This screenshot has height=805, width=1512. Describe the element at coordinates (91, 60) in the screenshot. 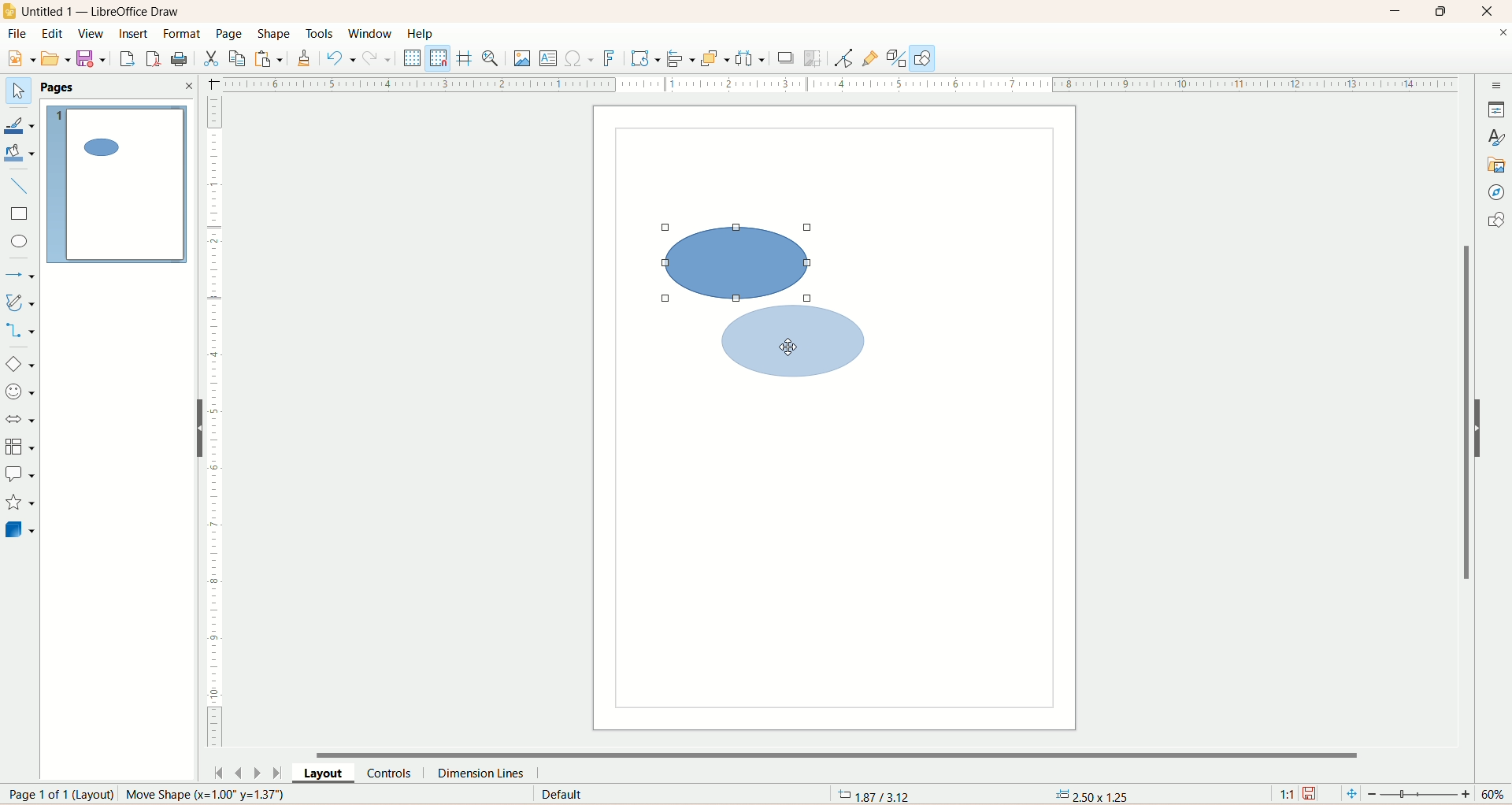

I see `save` at that location.